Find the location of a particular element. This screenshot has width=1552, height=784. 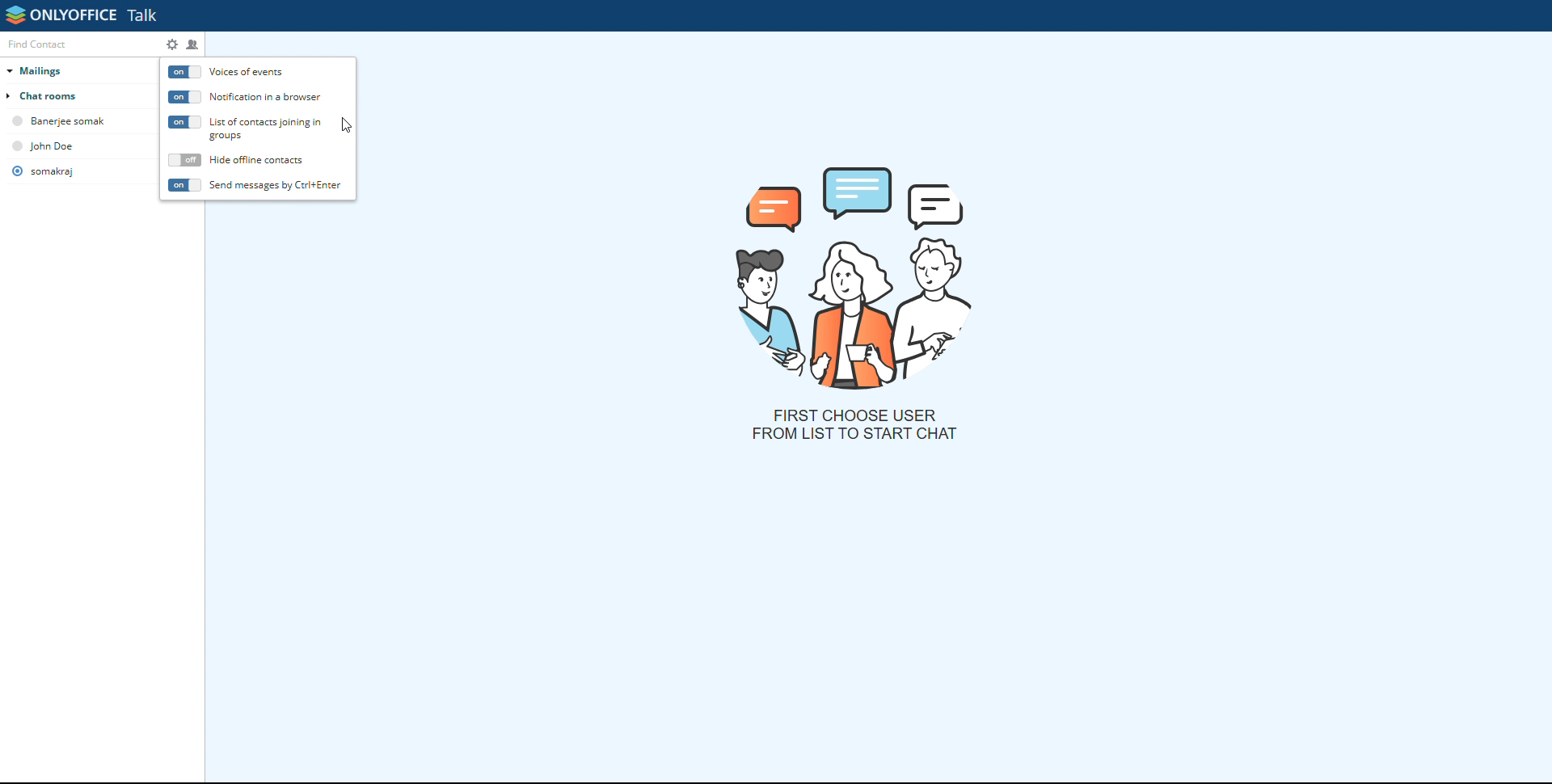

mailings is located at coordinates (77, 71).